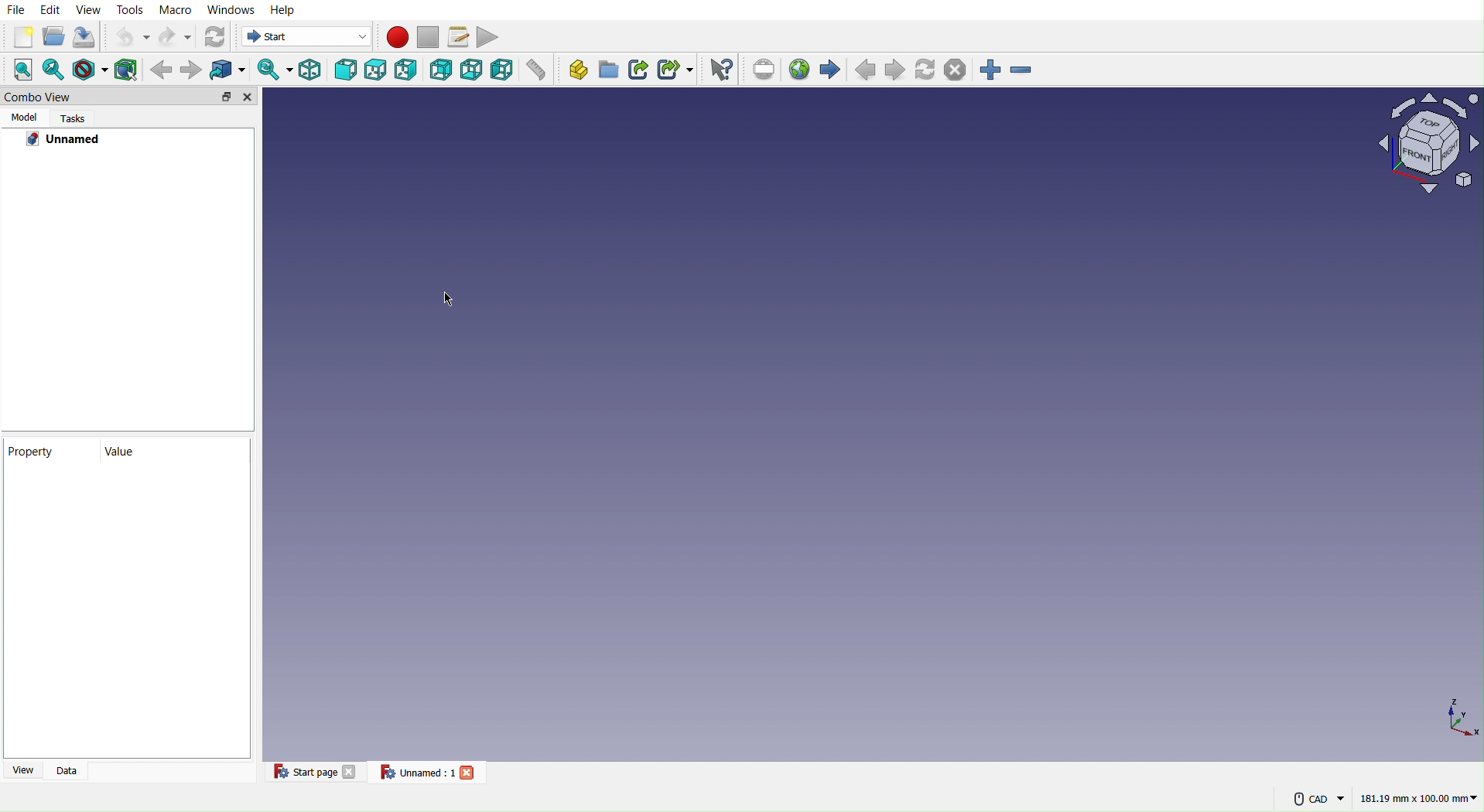 Image resolution: width=1484 pixels, height=812 pixels. Describe the element at coordinates (272, 68) in the screenshot. I see `Auto switch to the 3D view` at that location.